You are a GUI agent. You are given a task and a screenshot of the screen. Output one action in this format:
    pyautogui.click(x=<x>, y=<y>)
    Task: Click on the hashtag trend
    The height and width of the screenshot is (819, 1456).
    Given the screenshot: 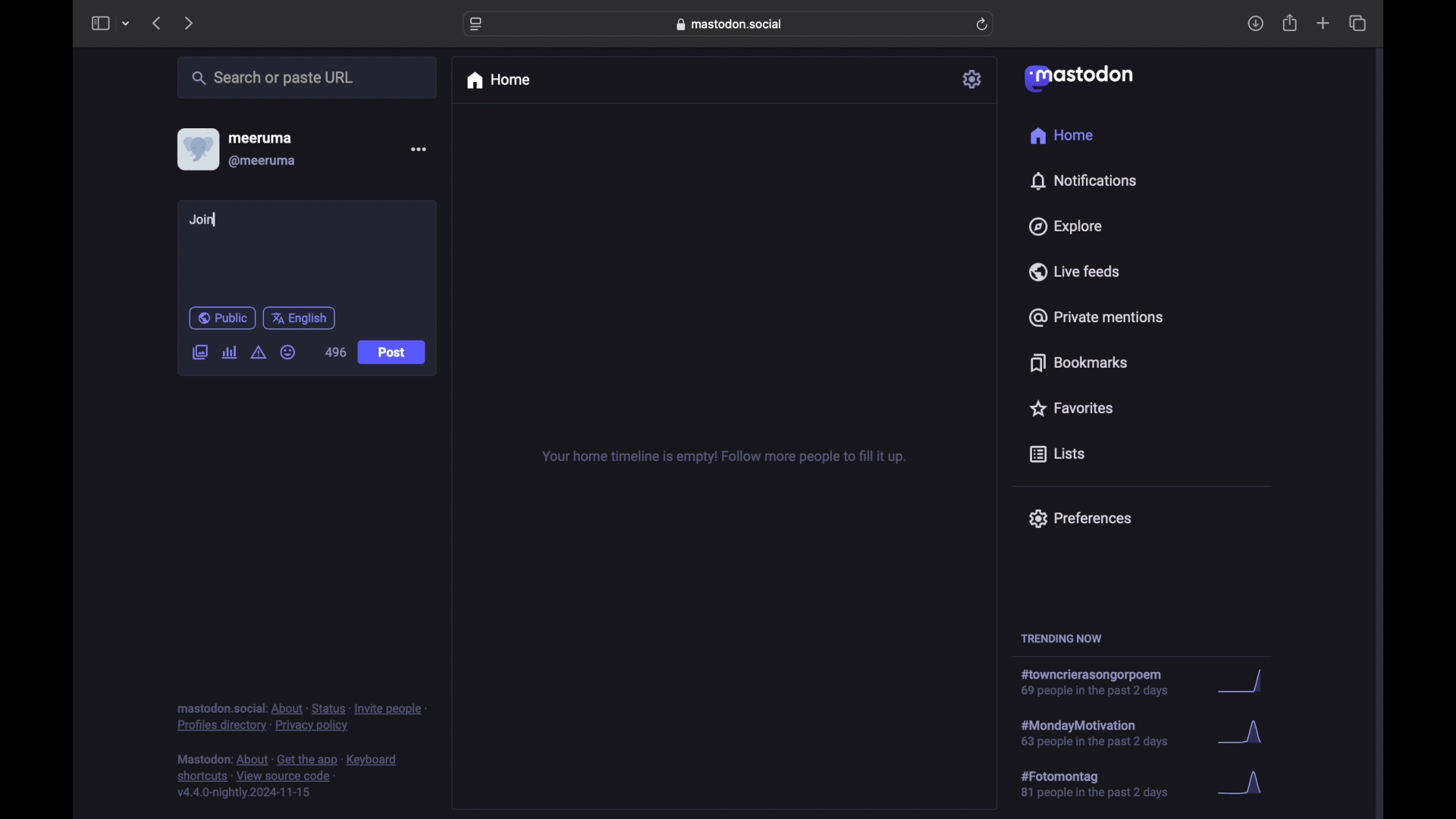 What is the action you would take?
    pyautogui.click(x=1105, y=732)
    